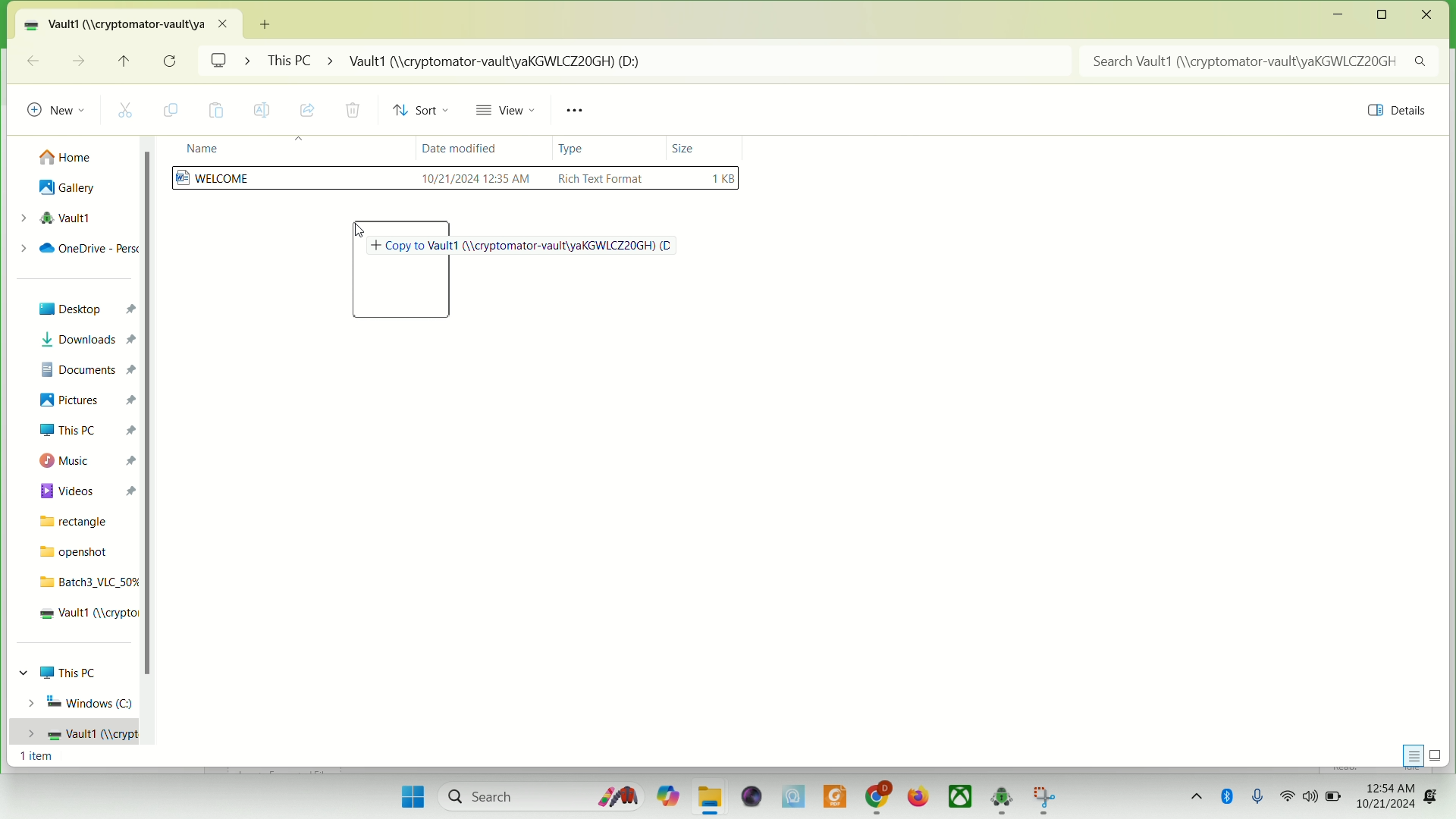 The image size is (1456, 819). What do you see at coordinates (664, 796) in the screenshot?
I see `copilet` at bounding box center [664, 796].